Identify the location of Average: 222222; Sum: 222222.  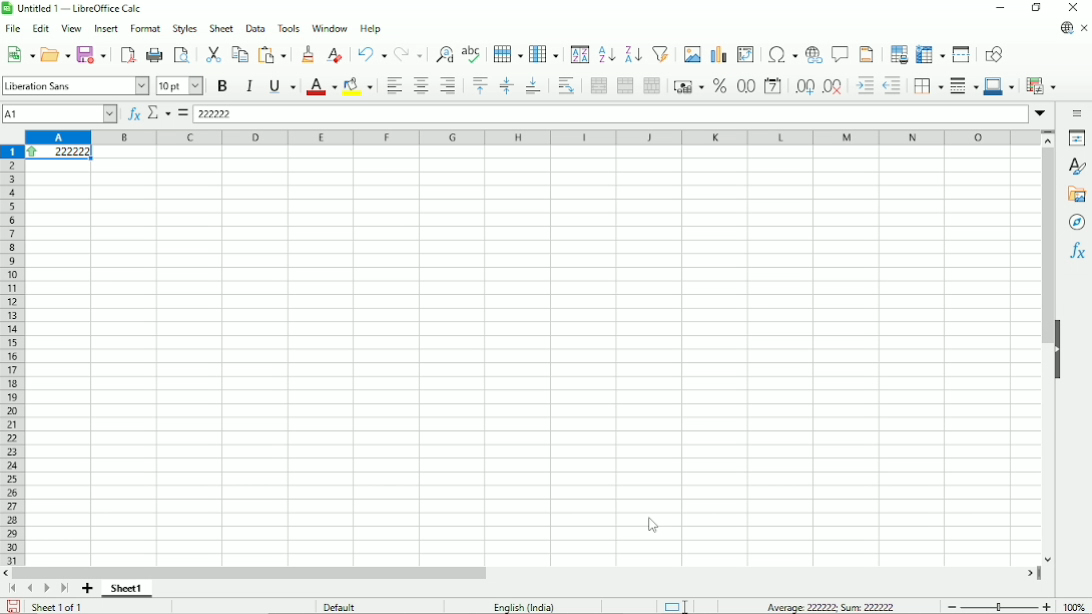
(828, 606).